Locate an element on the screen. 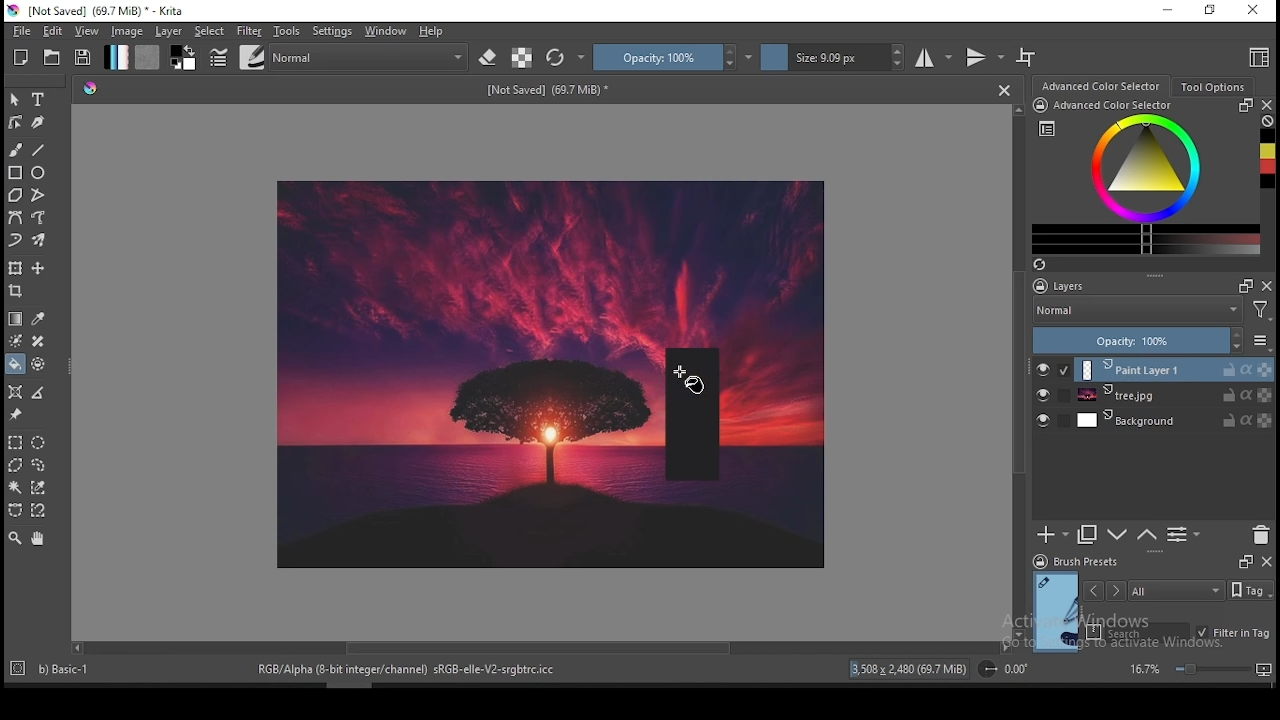 This screenshot has height=720, width=1280. smart patch tool is located at coordinates (38, 341).